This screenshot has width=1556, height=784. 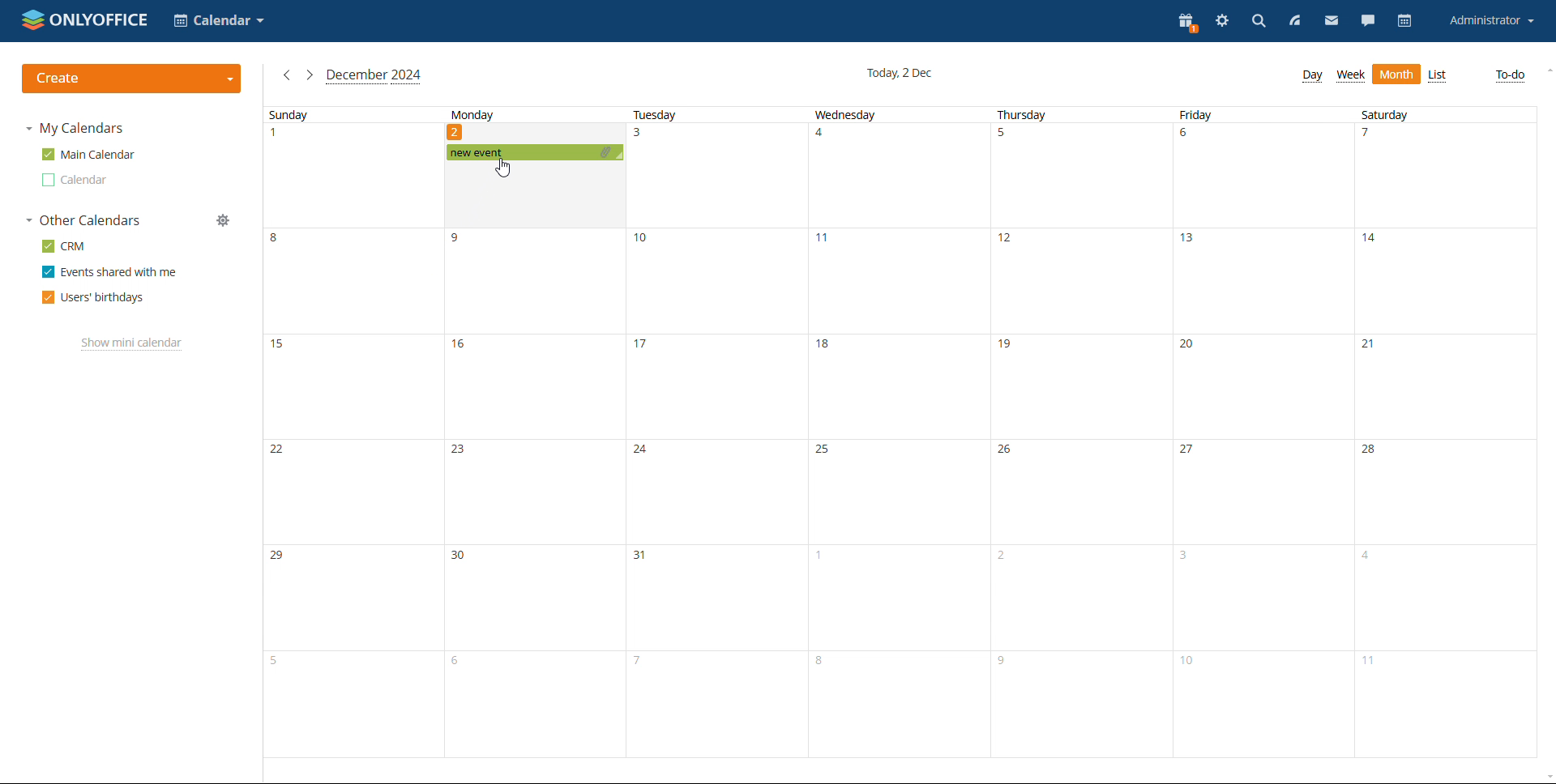 I want to click on 3, so click(x=1188, y=556).